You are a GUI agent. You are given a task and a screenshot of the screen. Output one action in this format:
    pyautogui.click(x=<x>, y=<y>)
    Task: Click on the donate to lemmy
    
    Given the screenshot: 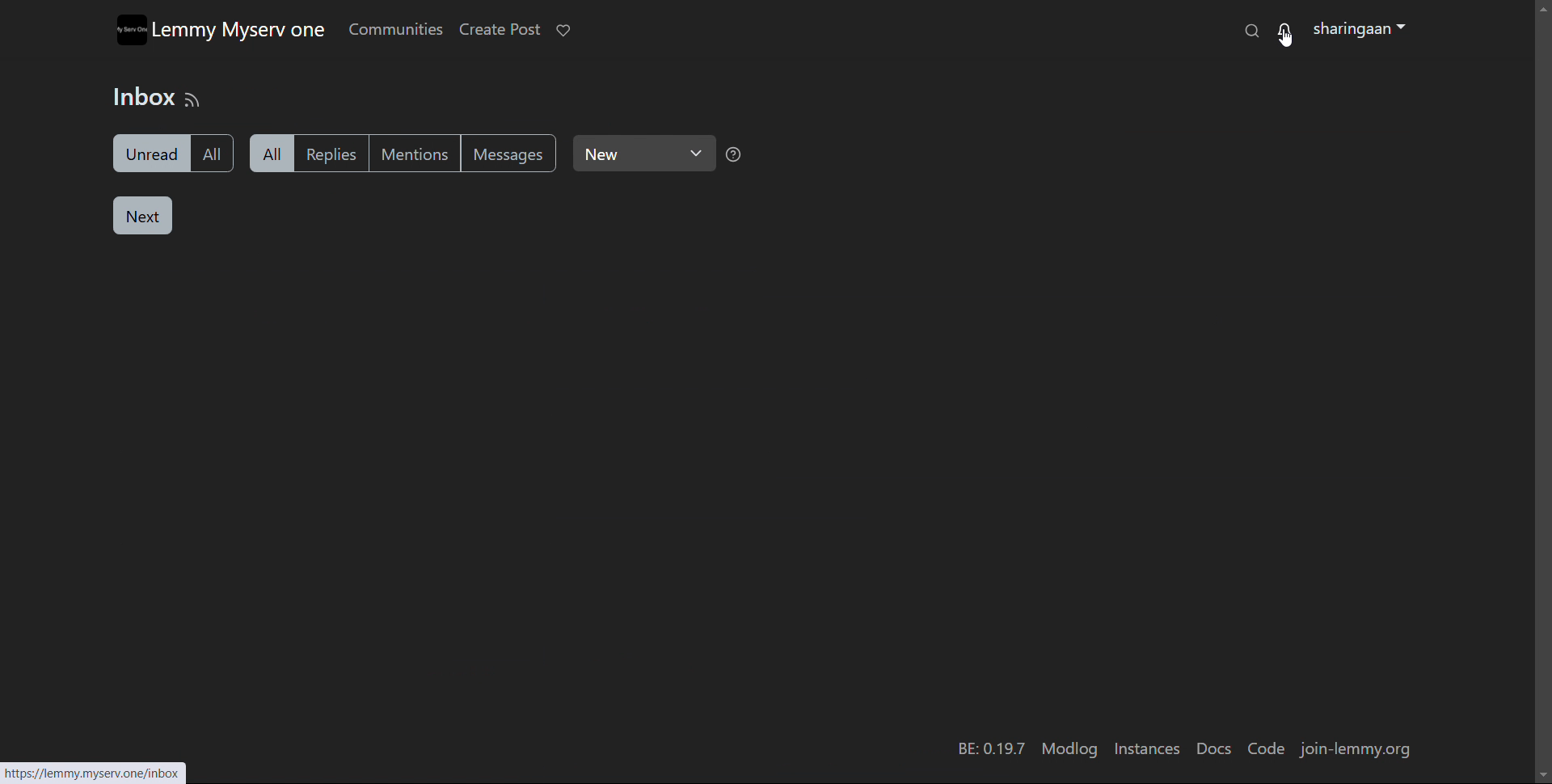 What is the action you would take?
    pyautogui.click(x=563, y=30)
    